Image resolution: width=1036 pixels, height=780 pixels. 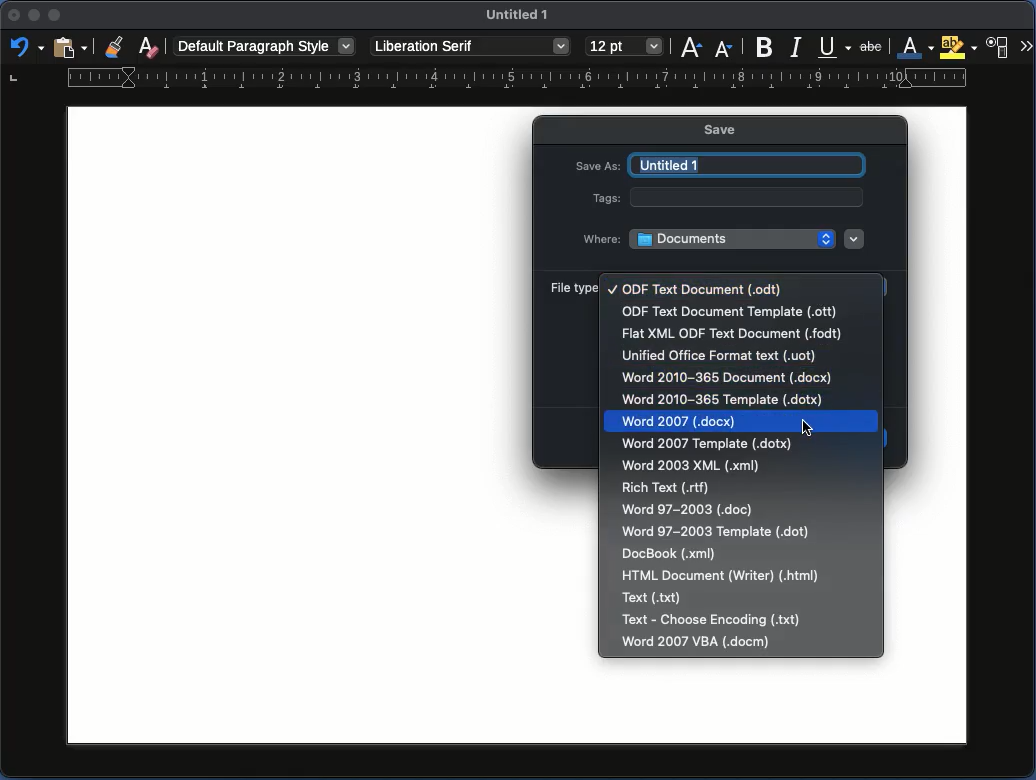 I want to click on Size increase, so click(x=693, y=47).